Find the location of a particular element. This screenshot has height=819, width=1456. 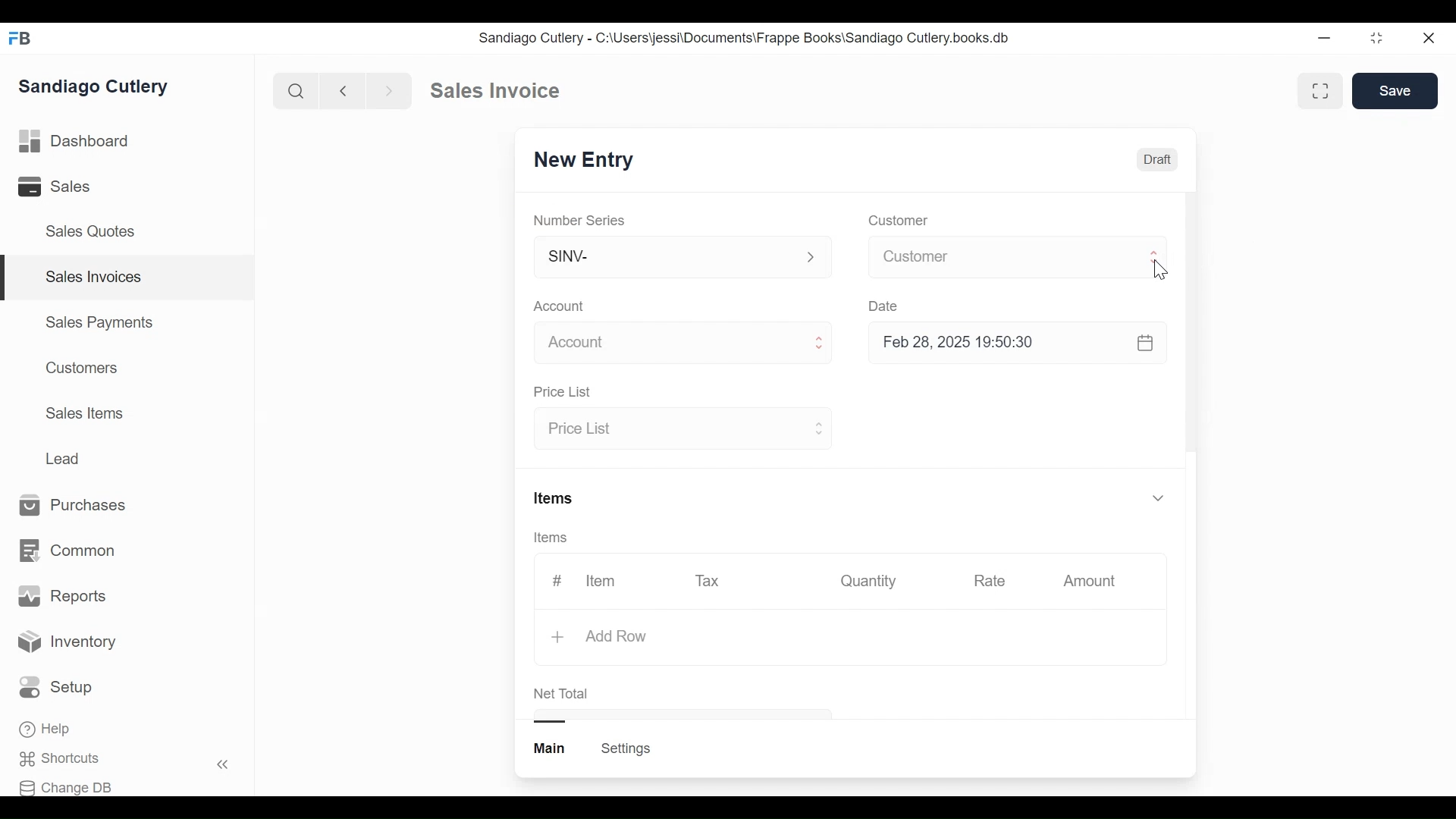

Sales Items is located at coordinates (84, 412).